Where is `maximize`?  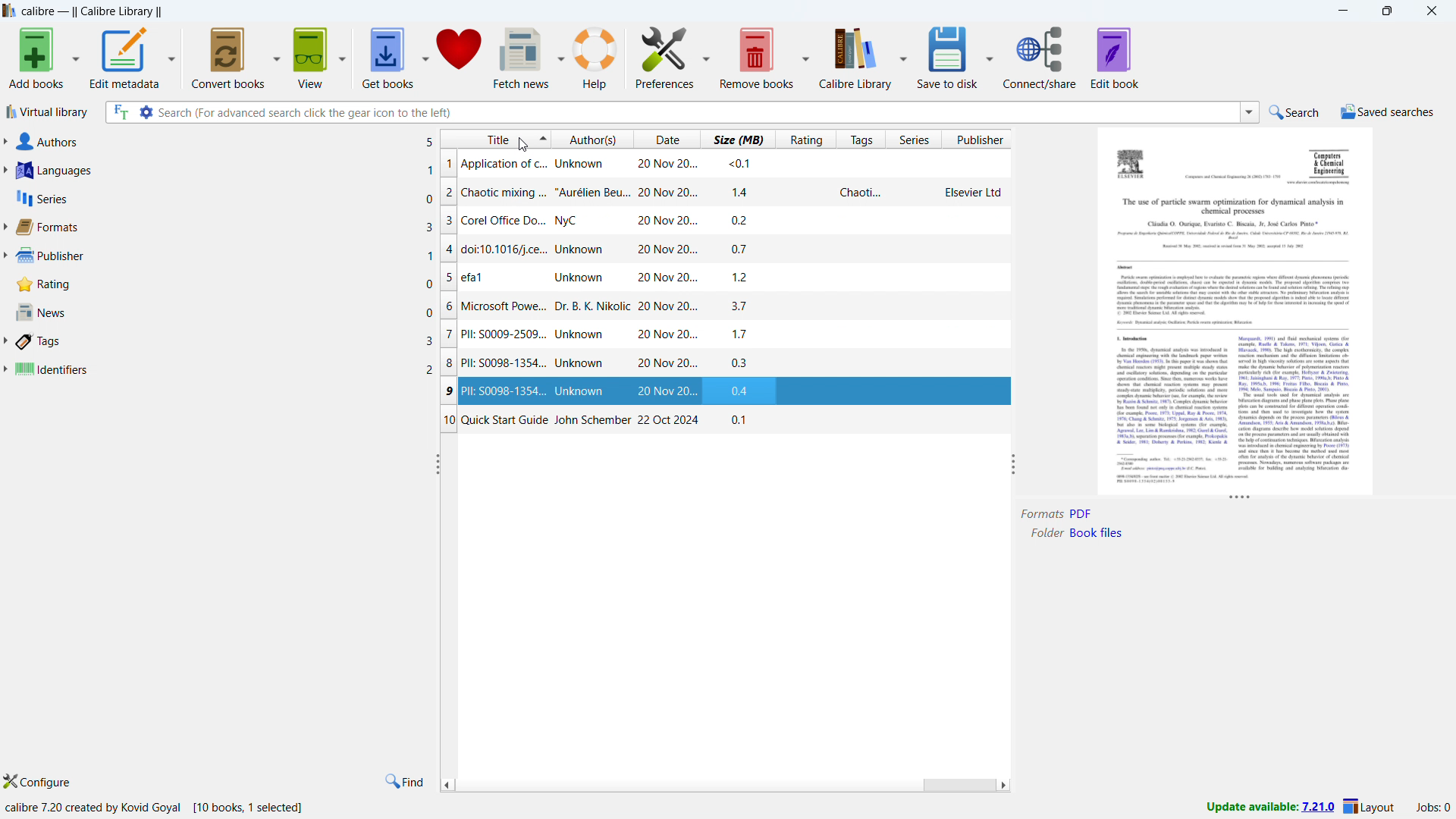 maximize is located at coordinates (1387, 10).